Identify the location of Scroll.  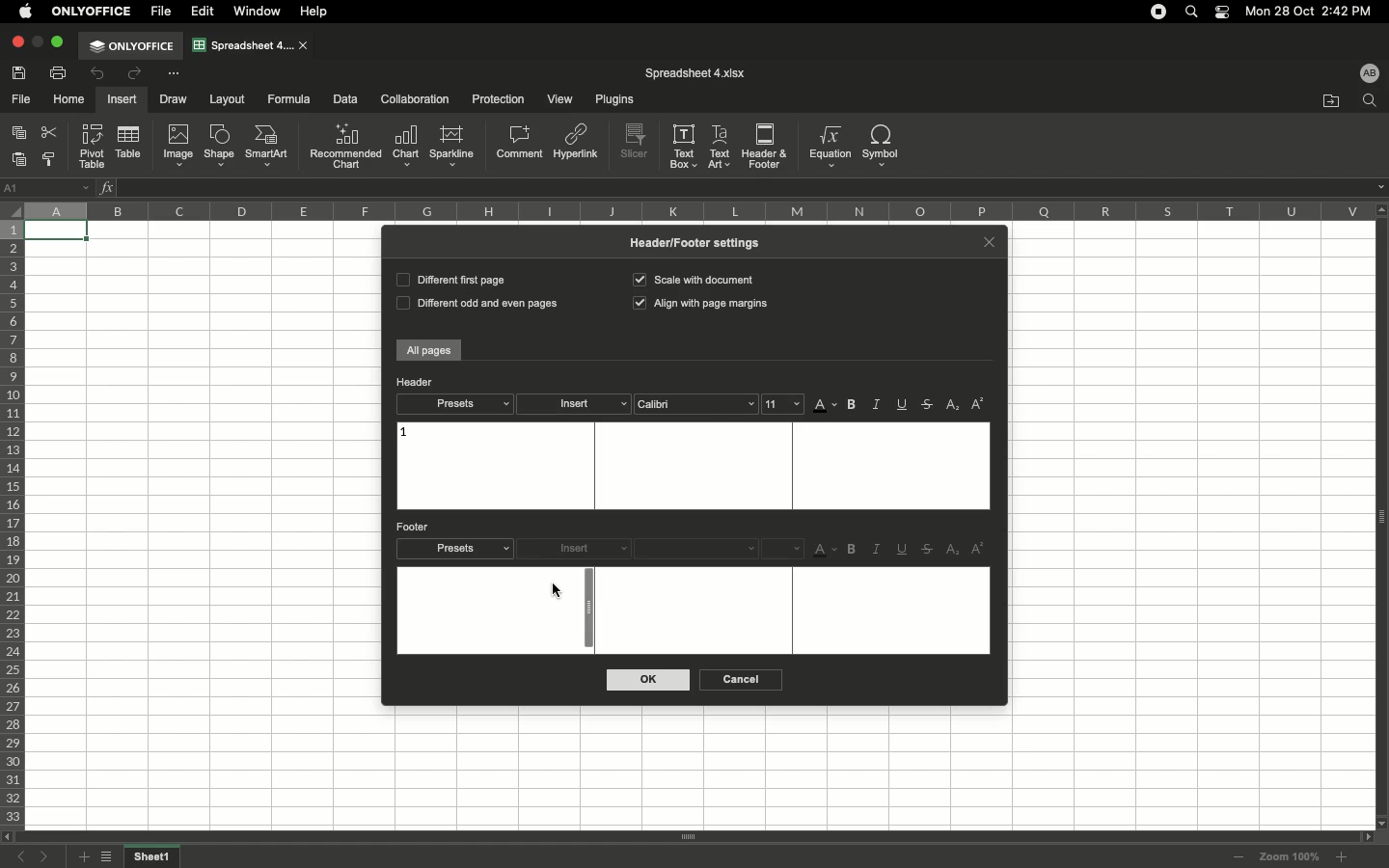
(585, 610).